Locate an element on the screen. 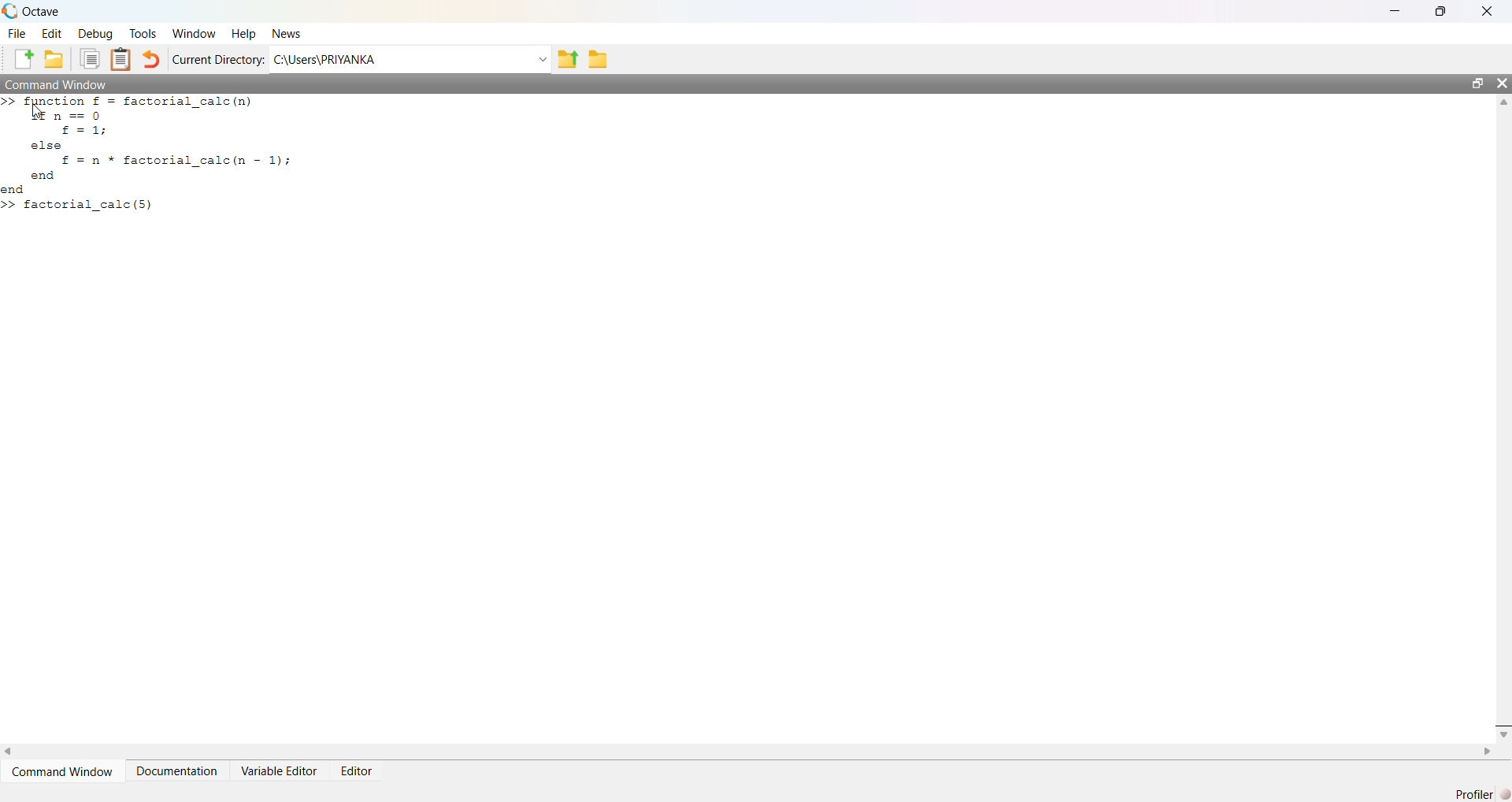  clip board is located at coordinates (120, 58).